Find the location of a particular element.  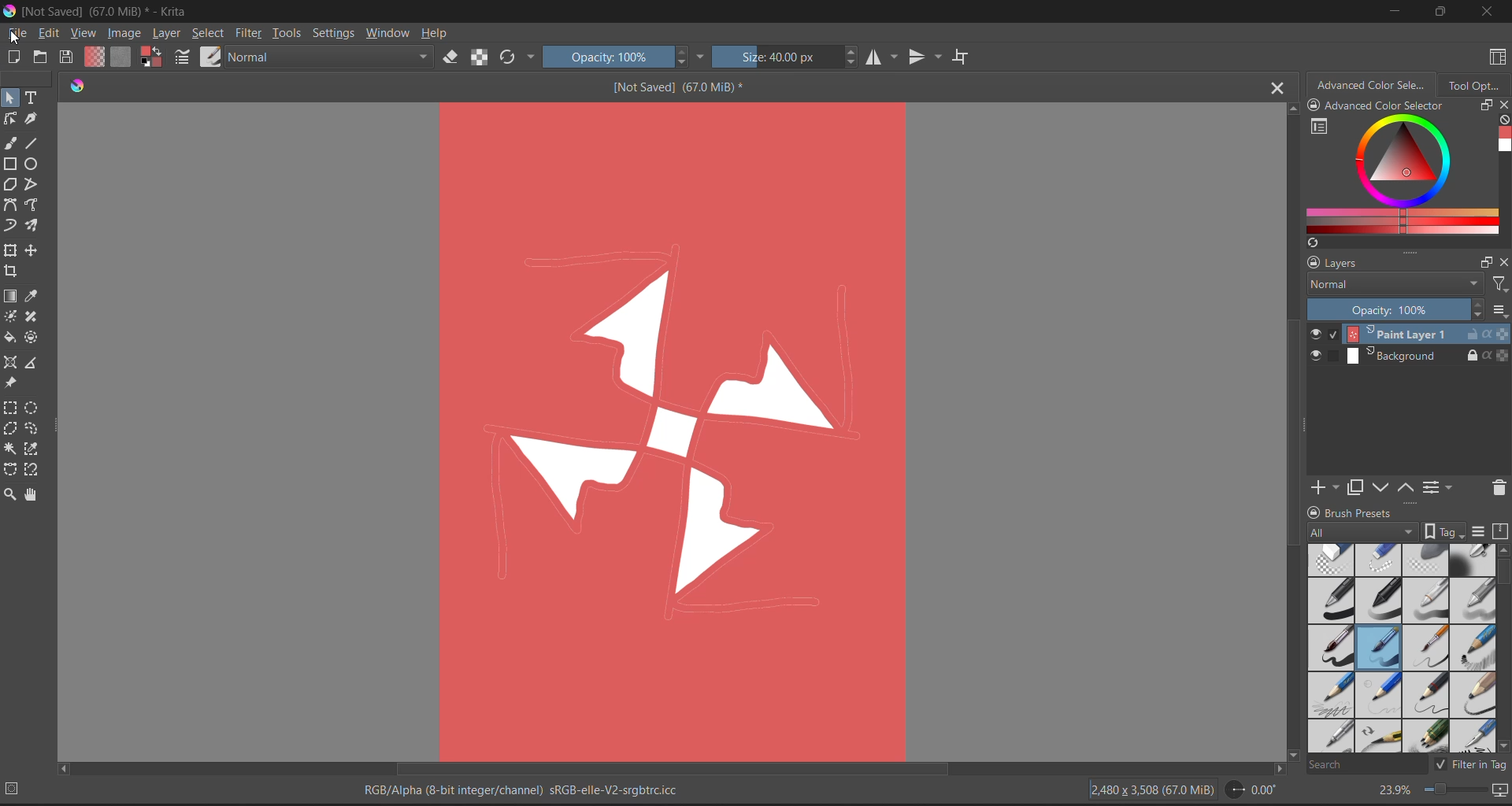

tools is located at coordinates (33, 165).